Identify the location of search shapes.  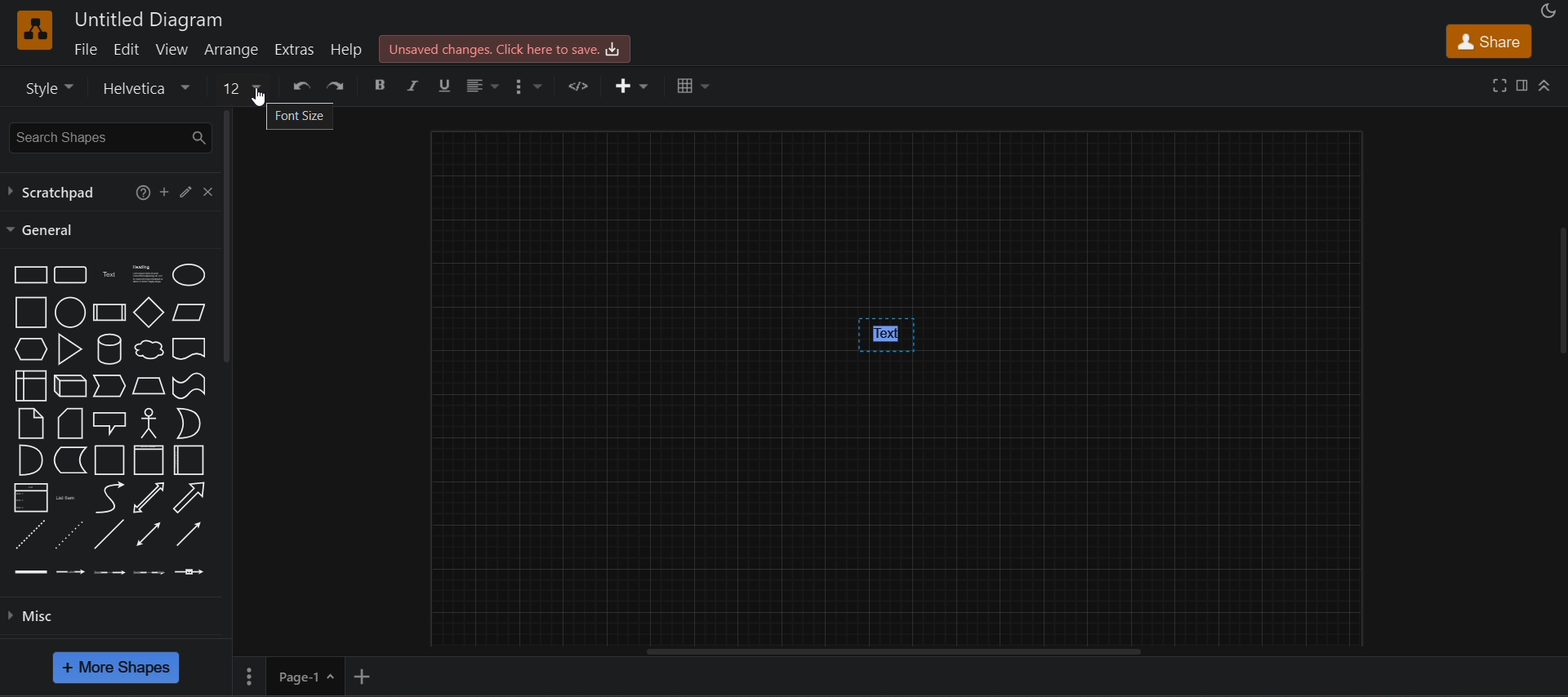
(108, 138).